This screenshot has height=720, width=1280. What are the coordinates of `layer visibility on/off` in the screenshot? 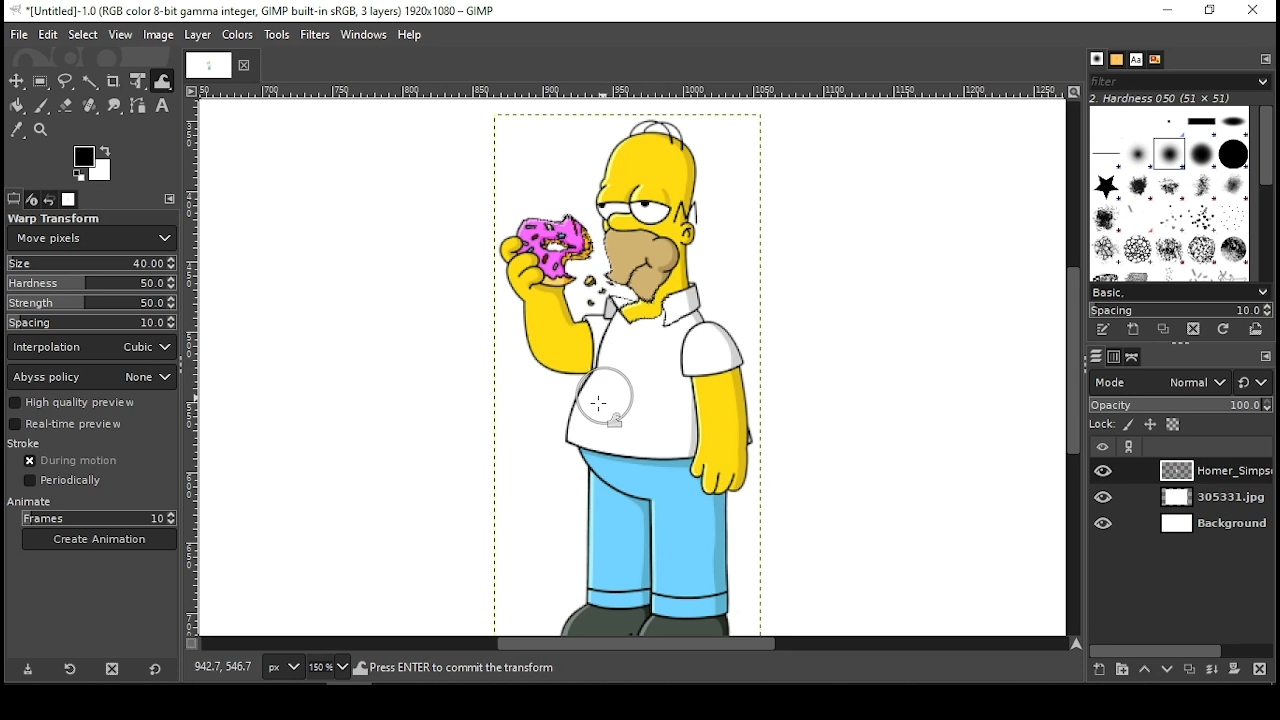 It's located at (1106, 498).